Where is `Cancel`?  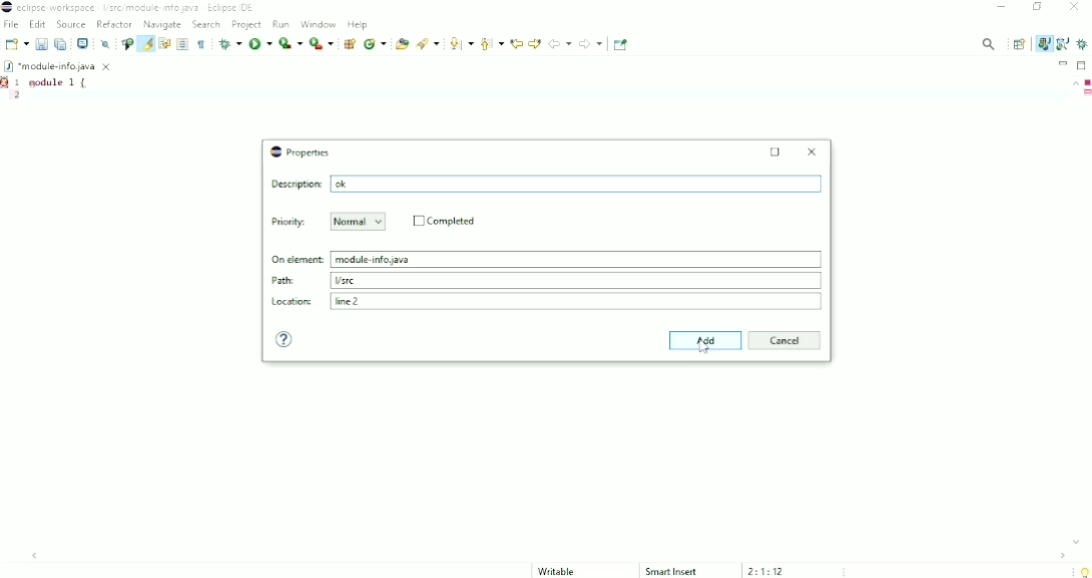
Cancel is located at coordinates (786, 341).